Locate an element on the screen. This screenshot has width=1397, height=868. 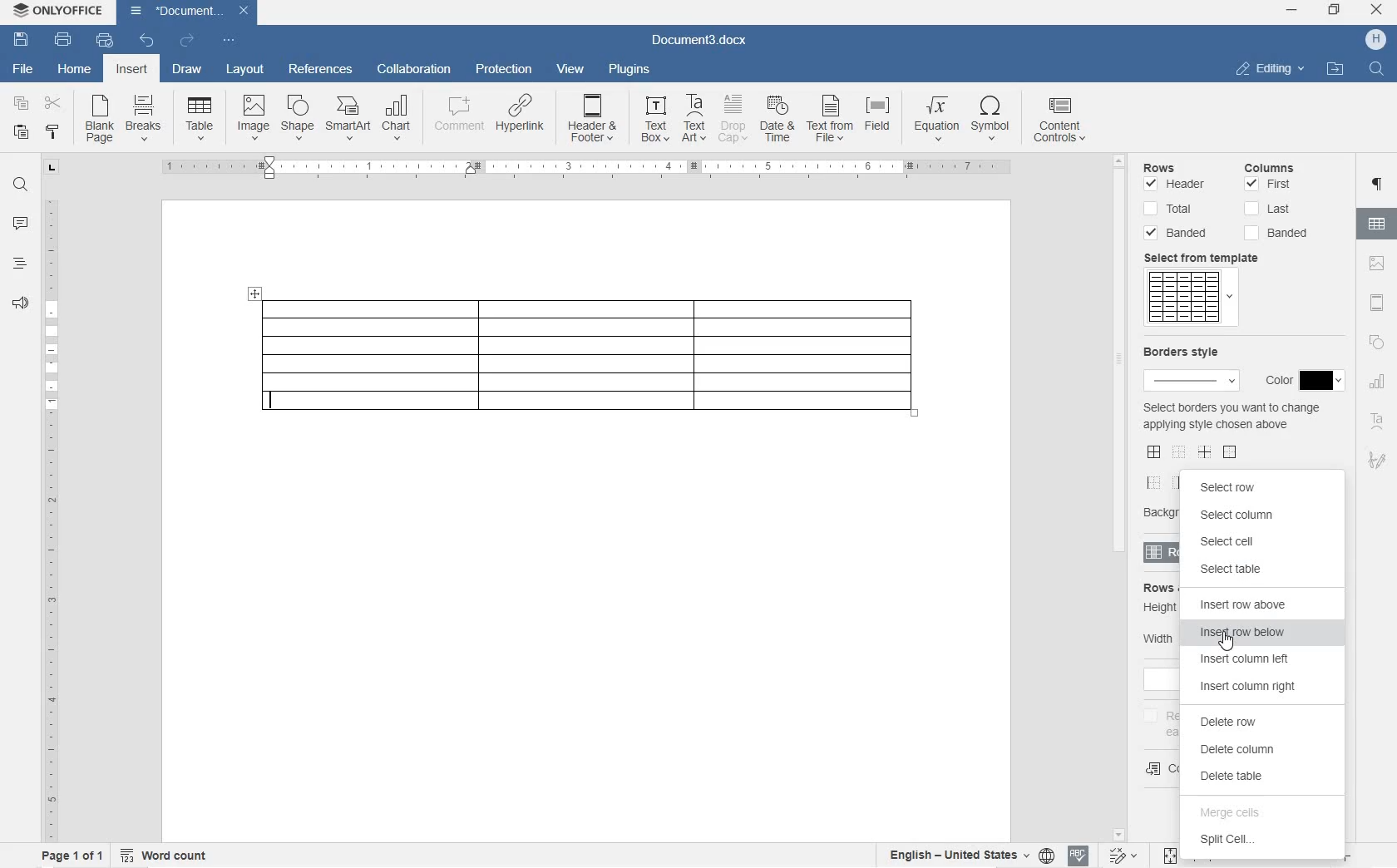
RESTORE is located at coordinates (1335, 12).